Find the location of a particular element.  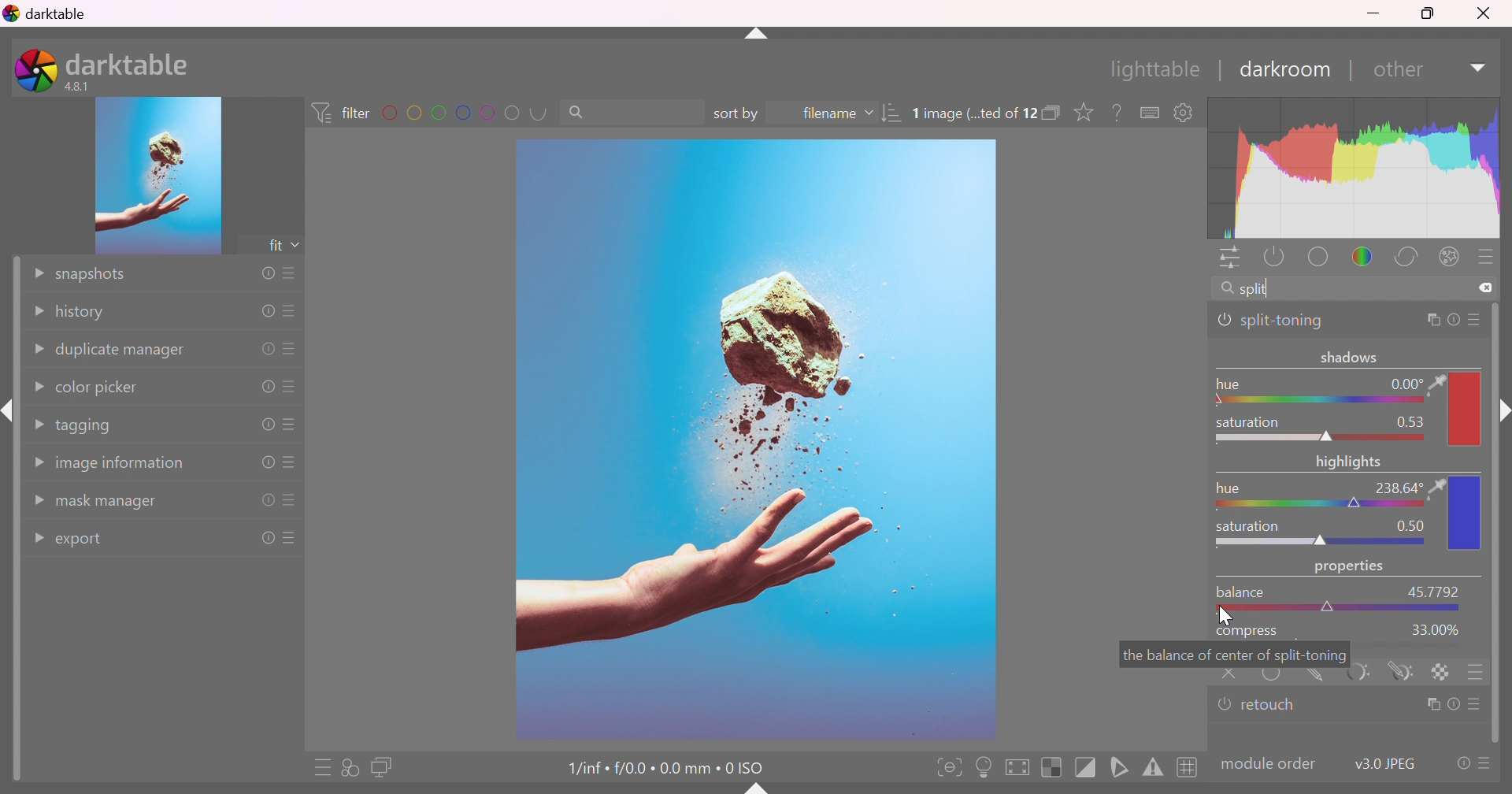

color is located at coordinates (1466, 512).